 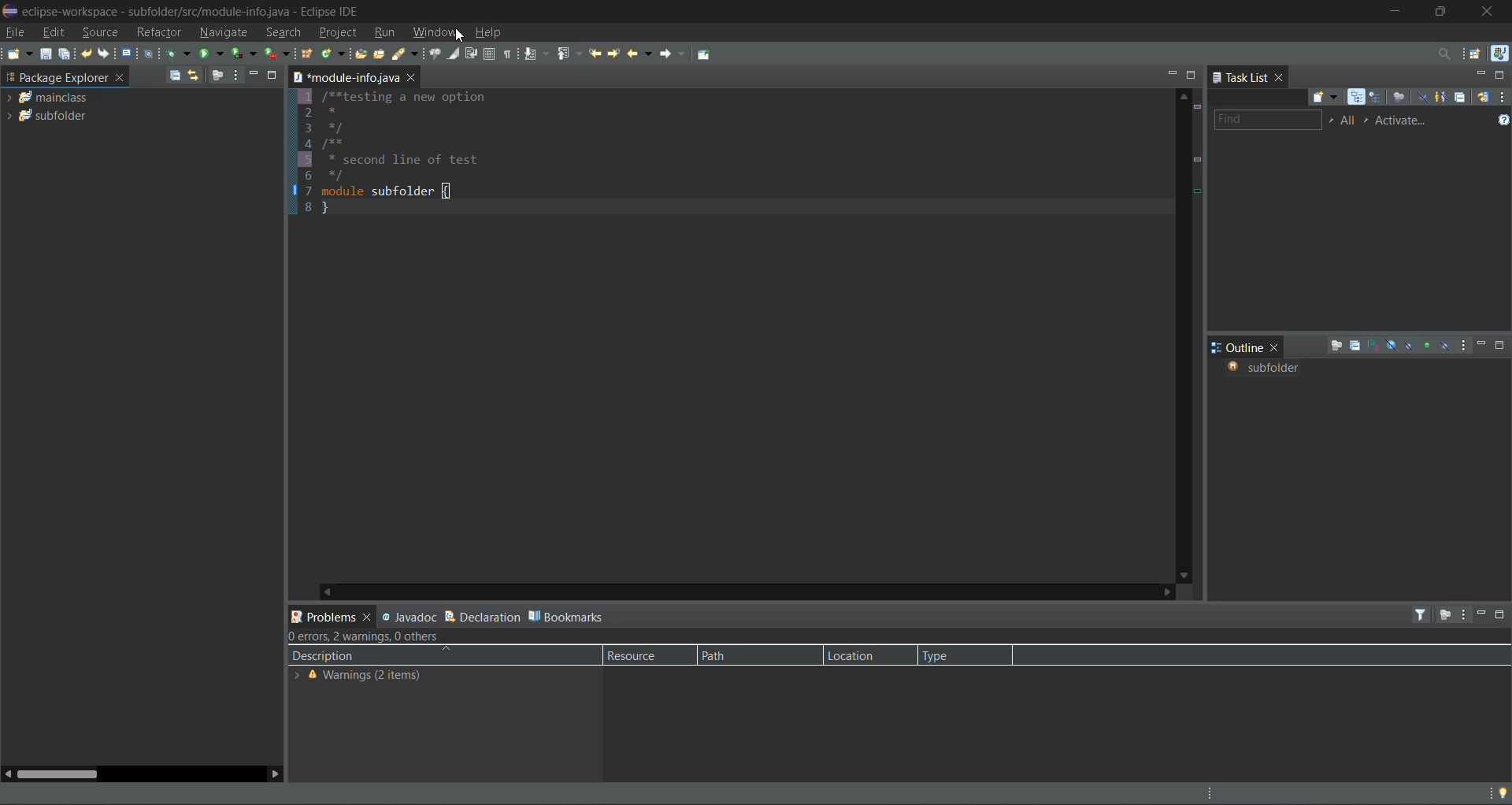 What do you see at coordinates (535, 53) in the screenshot?
I see `next annotation` at bounding box center [535, 53].